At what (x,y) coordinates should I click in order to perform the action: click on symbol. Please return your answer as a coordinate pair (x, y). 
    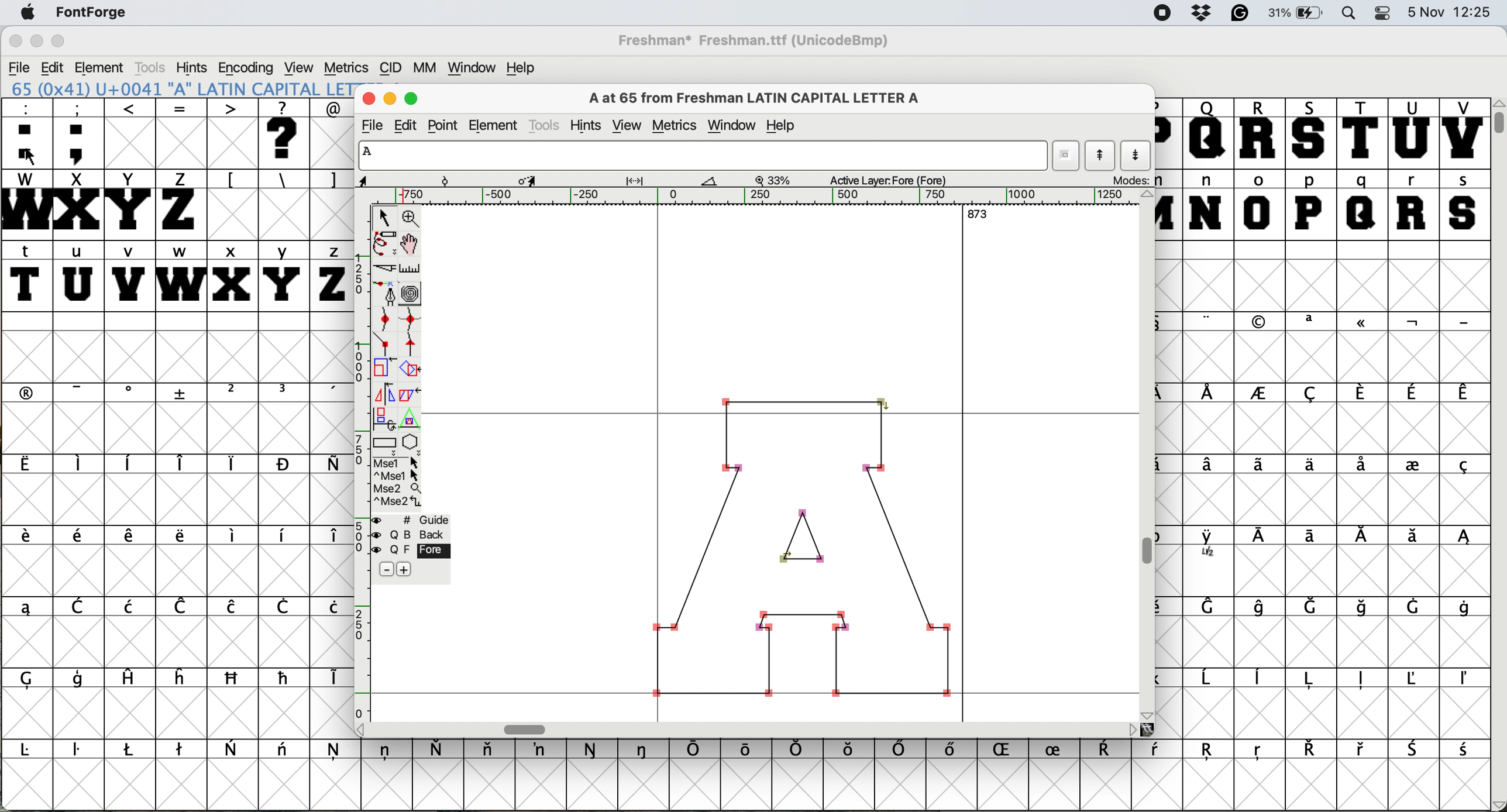
    Looking at the image, I should click on (645, 749).